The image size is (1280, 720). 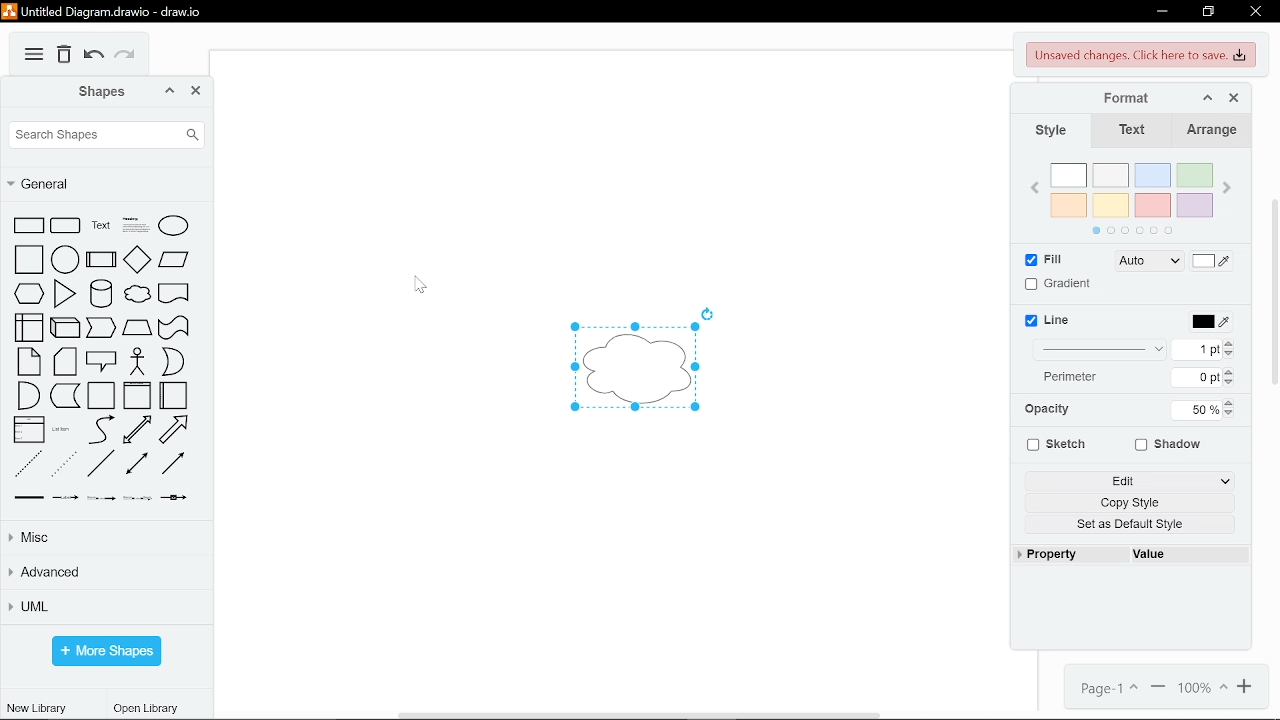 I want to click on more shapes, so click(x=106, y=651).